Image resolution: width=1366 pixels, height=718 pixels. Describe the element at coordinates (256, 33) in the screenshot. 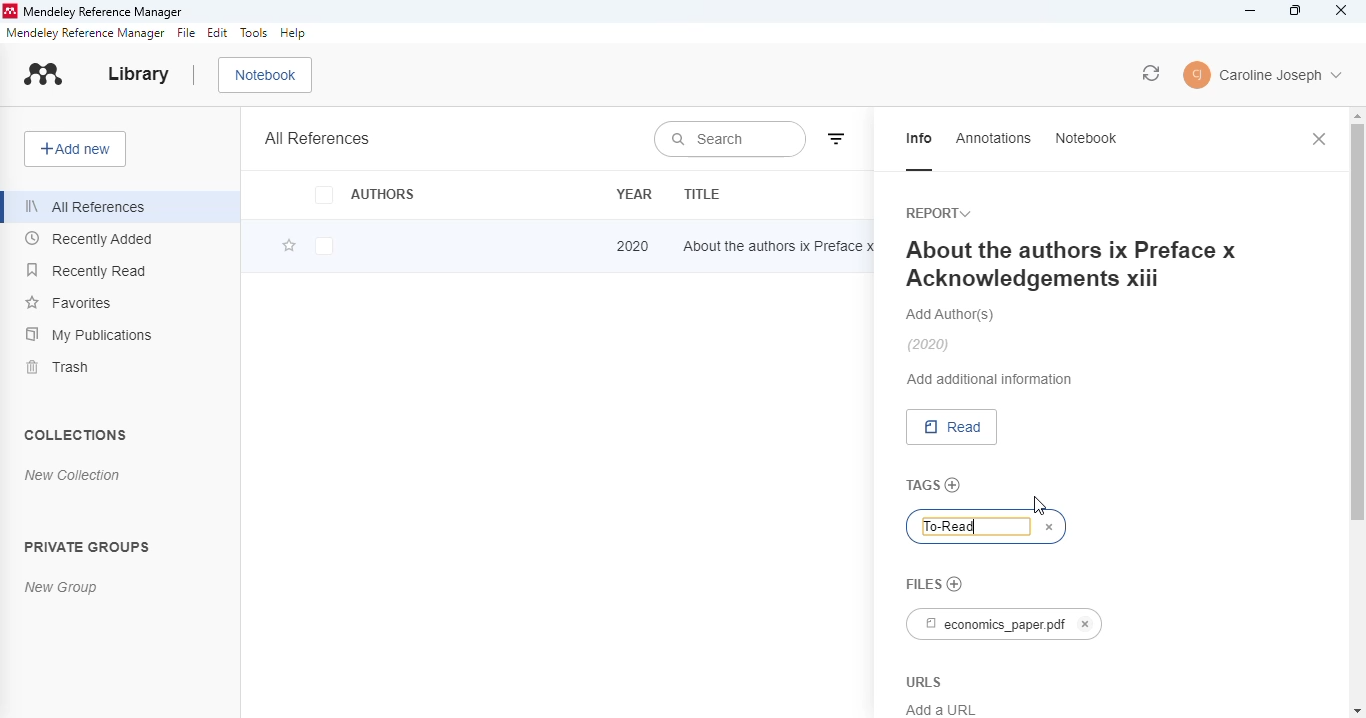

I see `tools` at that location.